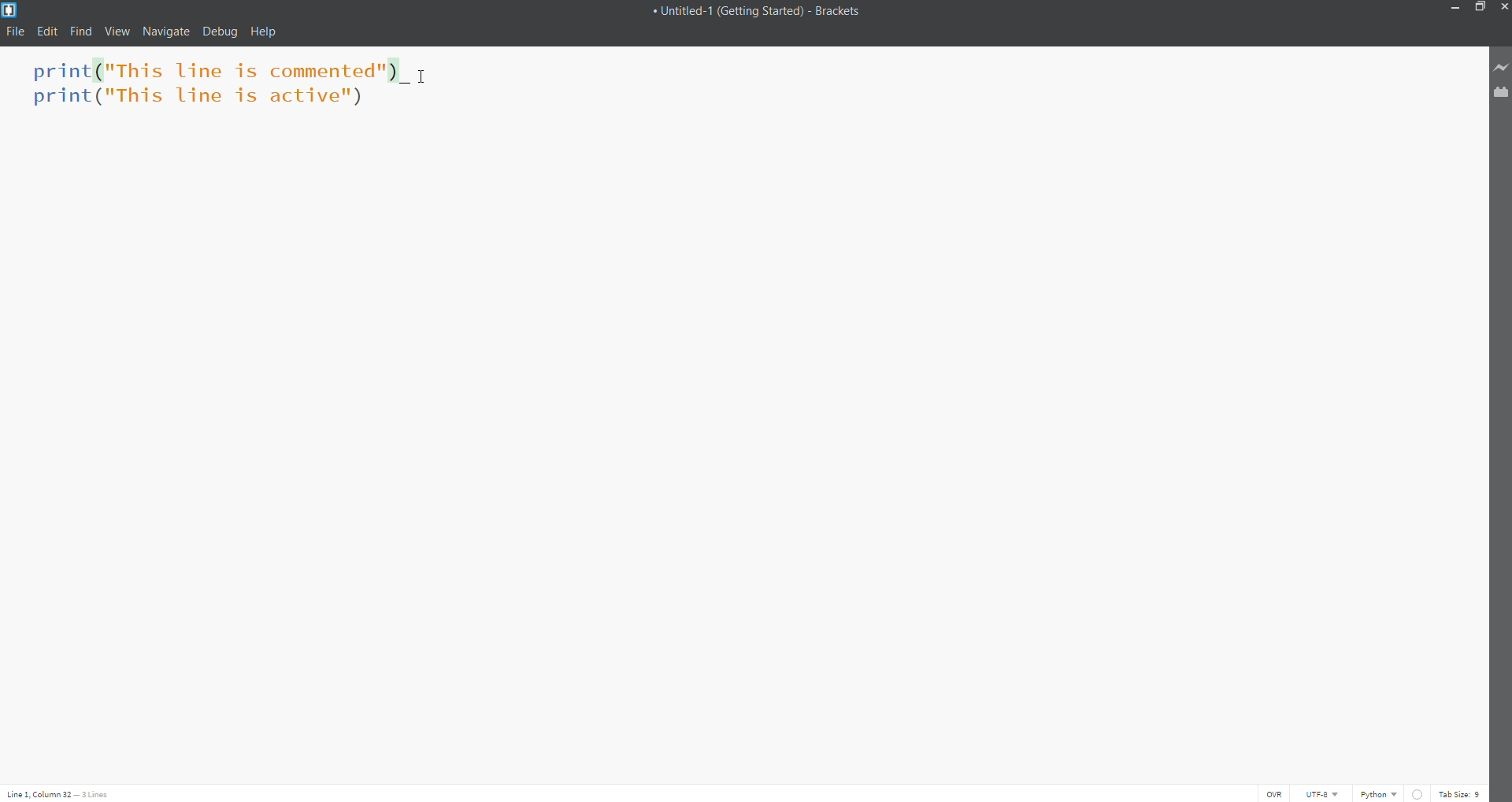 This screenshot has height=802, width=1512. What do you see at coordinates (47, 30) in the screenshot?
I see `Edit` at bounding box center [47, 30].